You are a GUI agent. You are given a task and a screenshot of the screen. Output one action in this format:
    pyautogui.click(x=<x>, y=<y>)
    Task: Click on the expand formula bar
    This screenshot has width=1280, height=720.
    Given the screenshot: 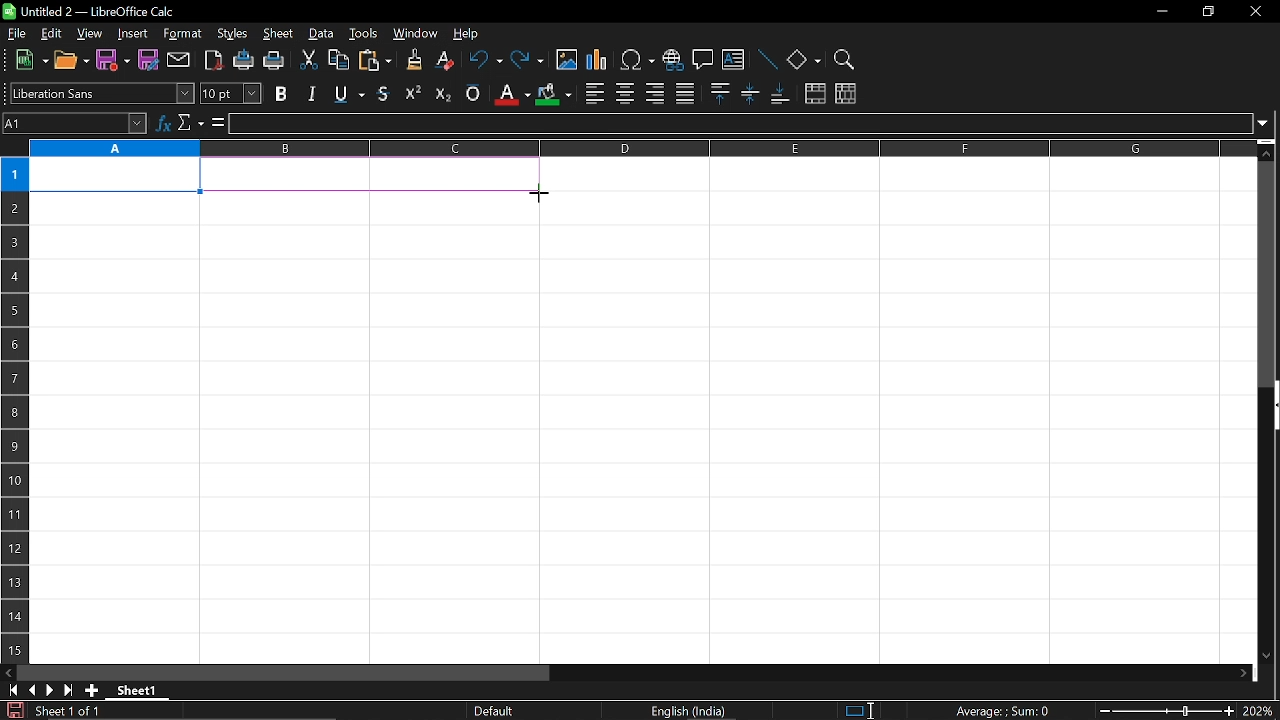 What is the action you would take?
    pyautogui.click(x=1266, y=123)
    